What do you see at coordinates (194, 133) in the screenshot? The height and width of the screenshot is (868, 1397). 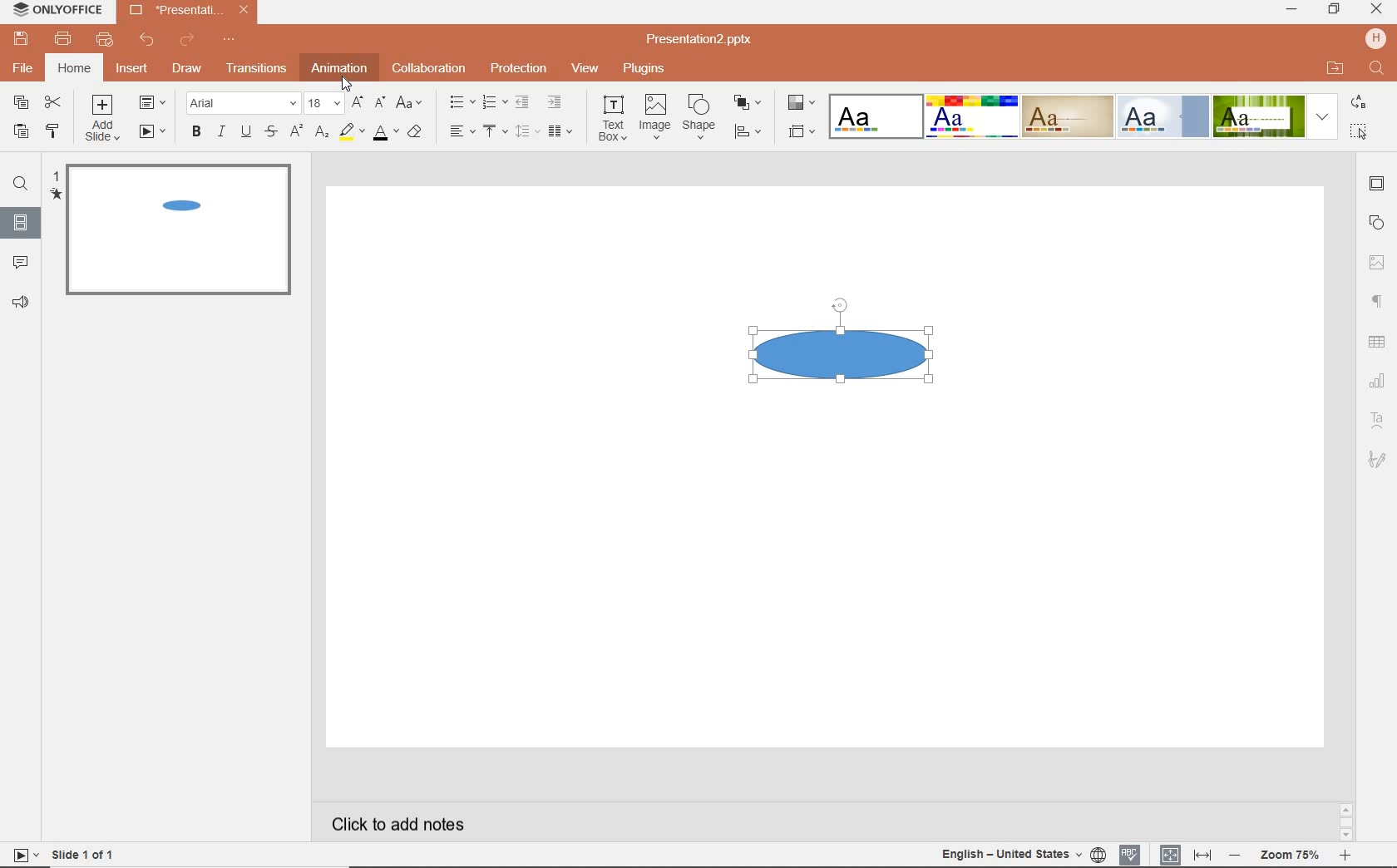 I see `bold` at bounding box center [194, 133].